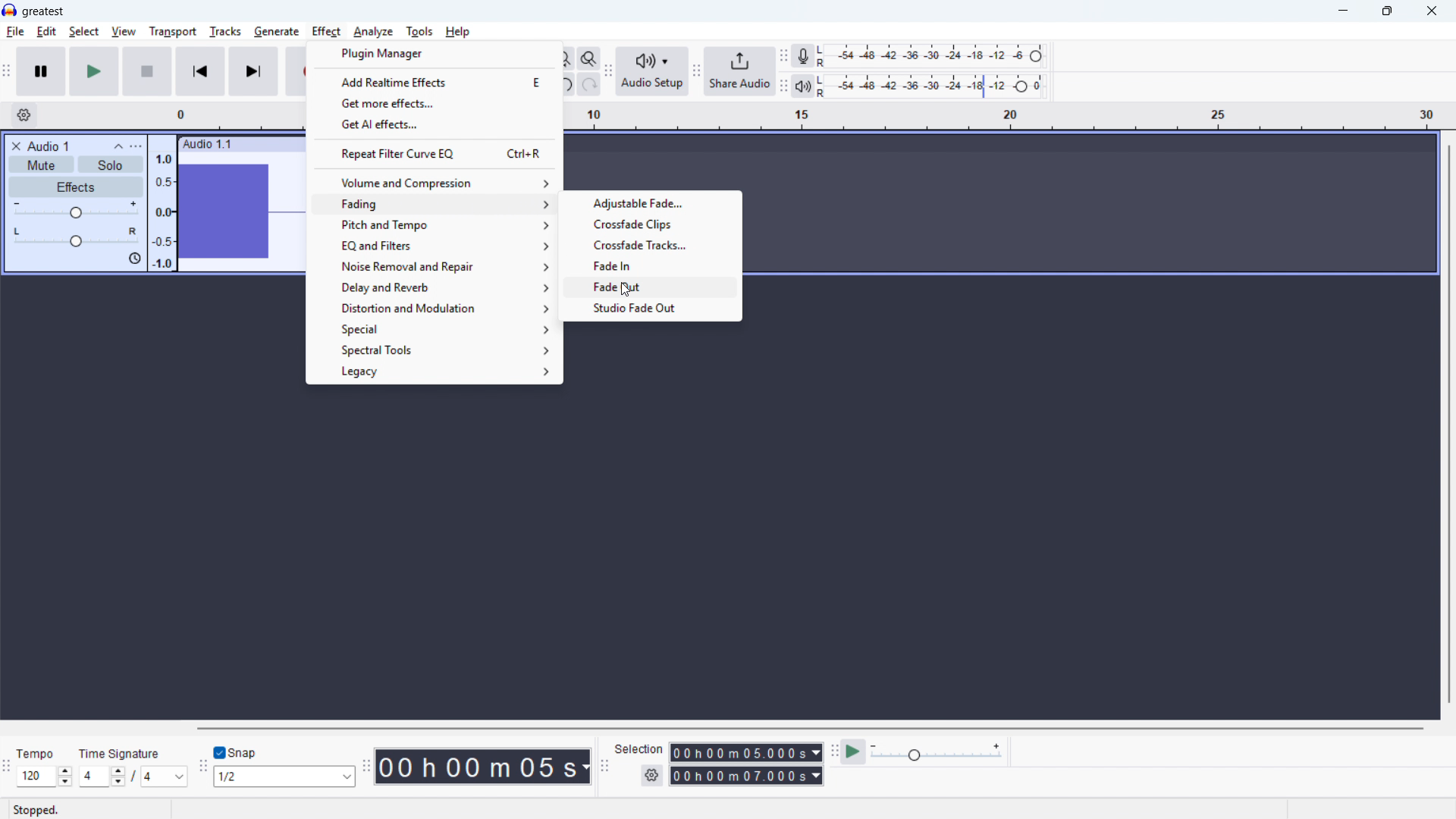 This screenshot has width=1456, height=819. What do you see at coordinates (747, 775) in the screenshot?
I see `Selection end time` at bounding box center [747, 775].